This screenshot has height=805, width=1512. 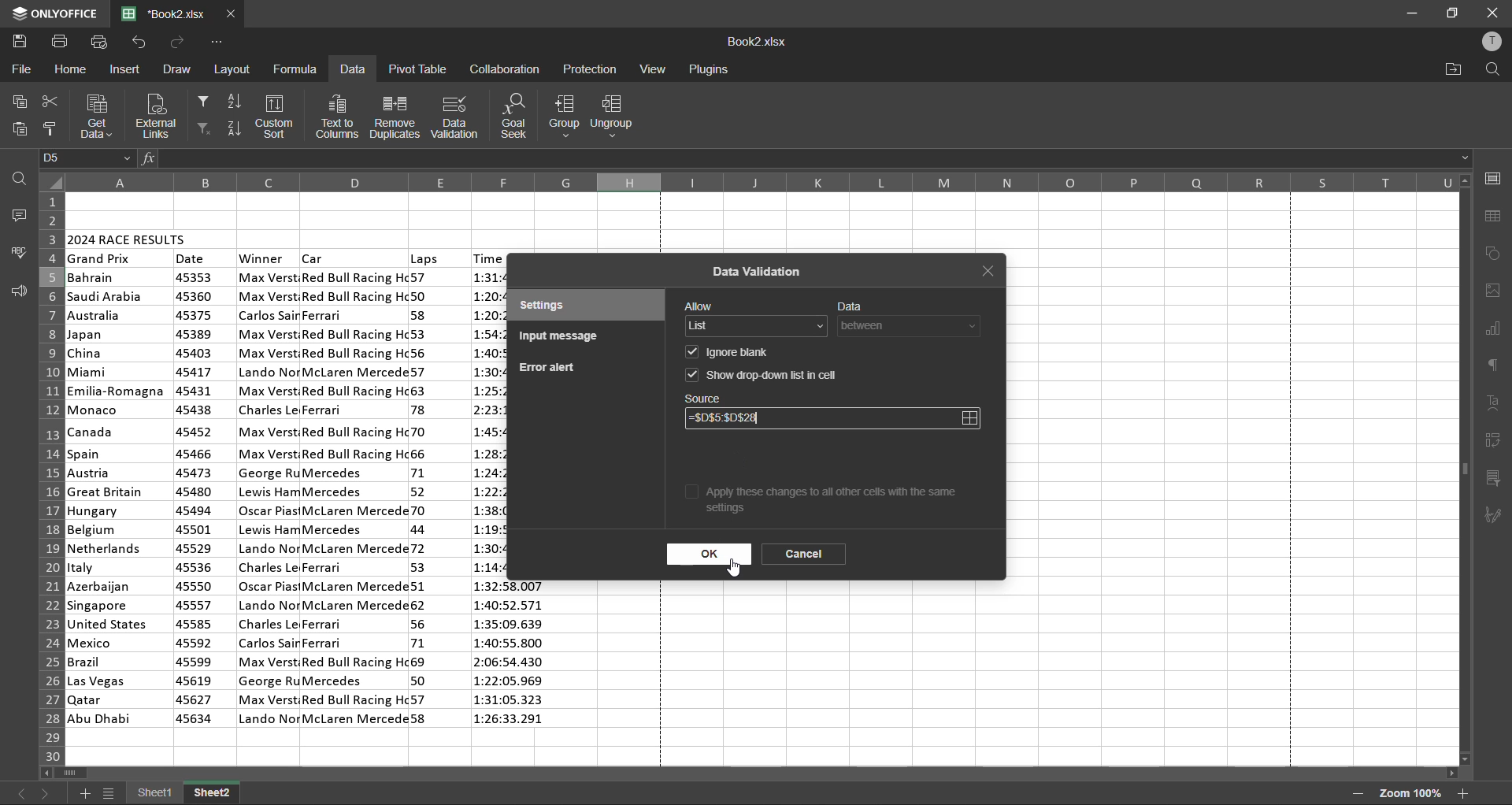 What do you see at coordinates (708, 70) in the screenshot?
I see `plugins` at bounding box center [708, 70].